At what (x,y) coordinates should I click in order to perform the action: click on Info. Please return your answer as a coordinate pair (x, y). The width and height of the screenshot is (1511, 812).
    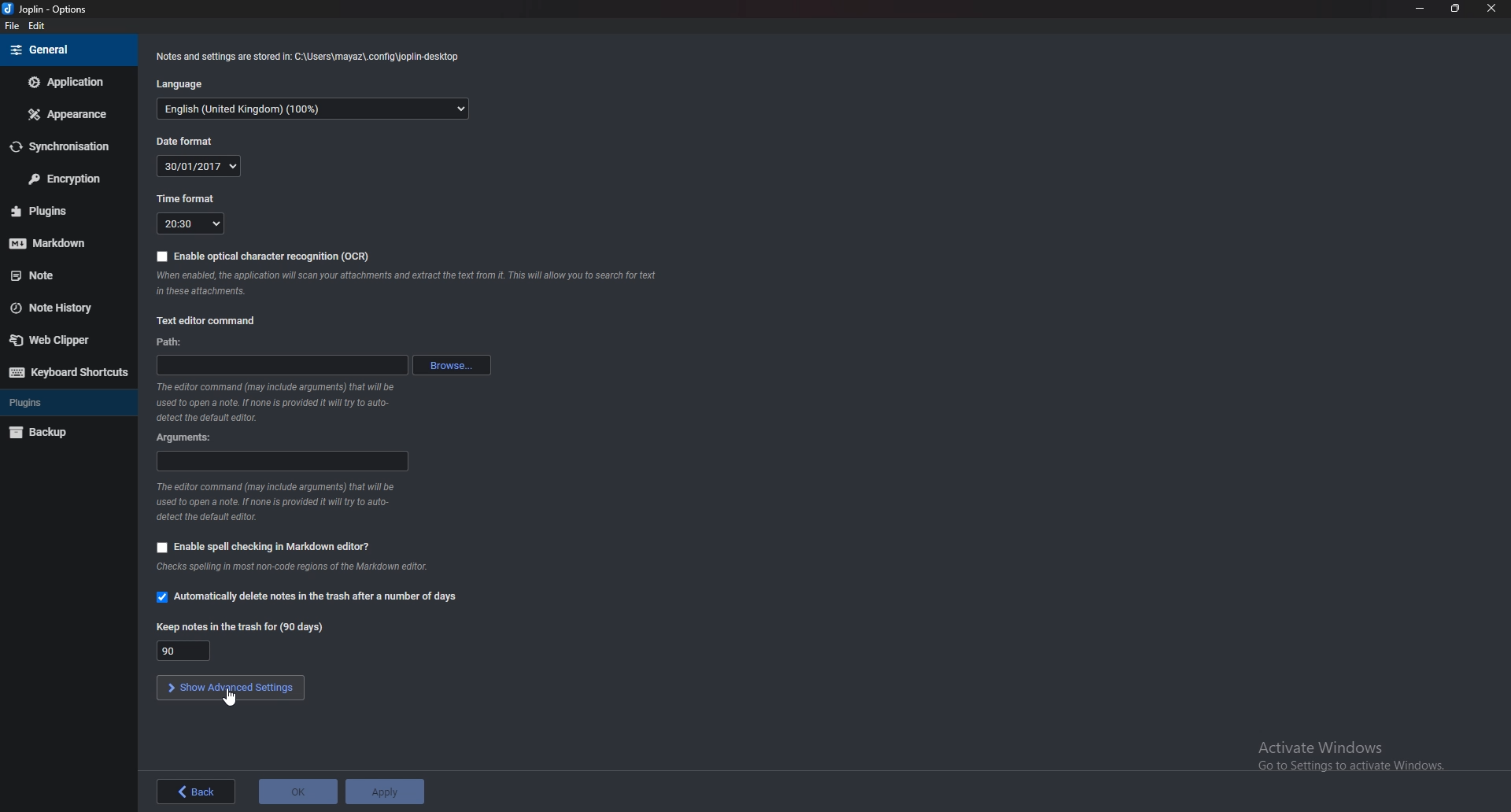
    Looking at the image, I should click on (276, 503).